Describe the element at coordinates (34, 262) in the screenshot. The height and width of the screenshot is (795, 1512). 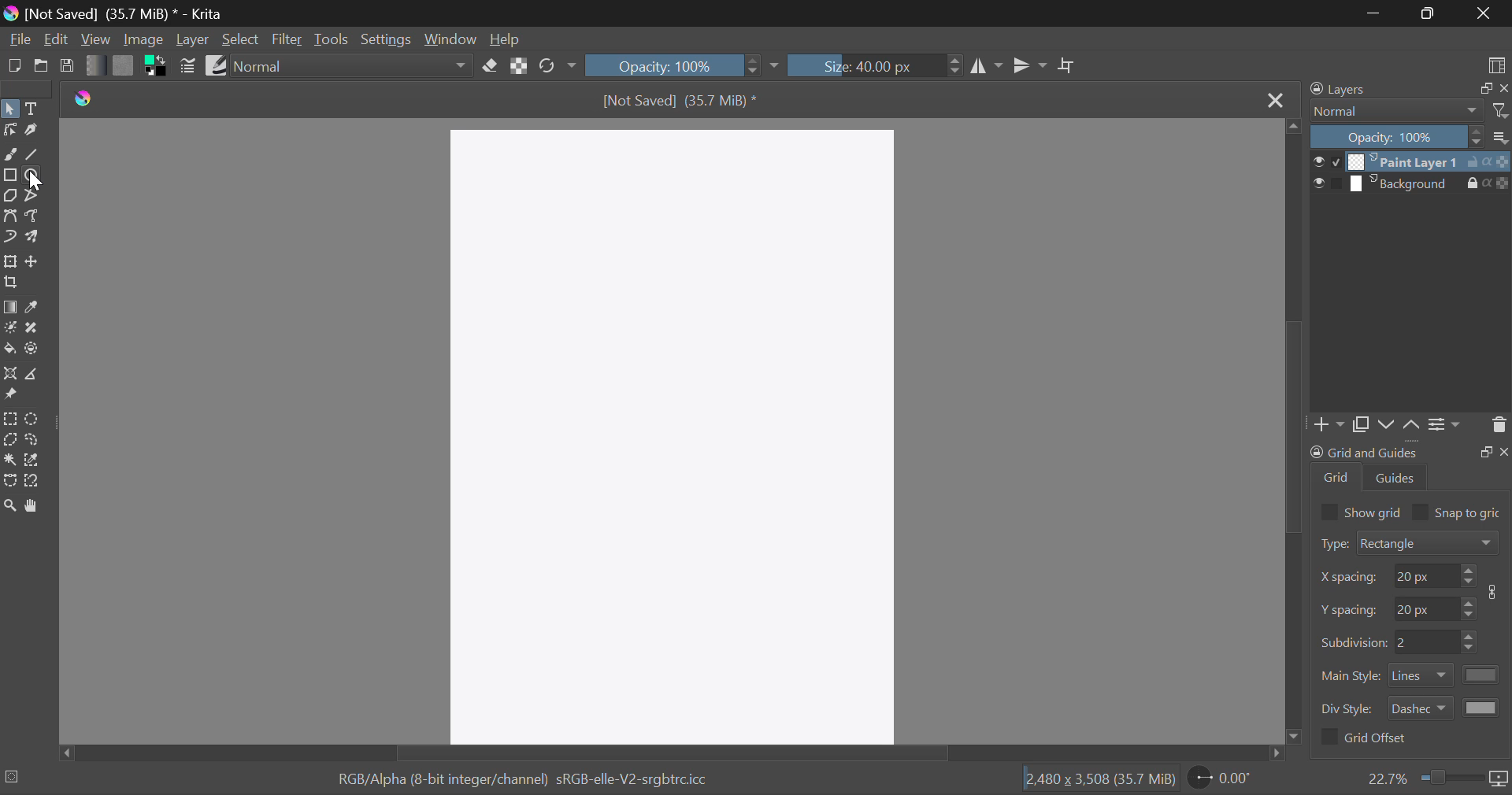
I see `Move Layer` at that location.